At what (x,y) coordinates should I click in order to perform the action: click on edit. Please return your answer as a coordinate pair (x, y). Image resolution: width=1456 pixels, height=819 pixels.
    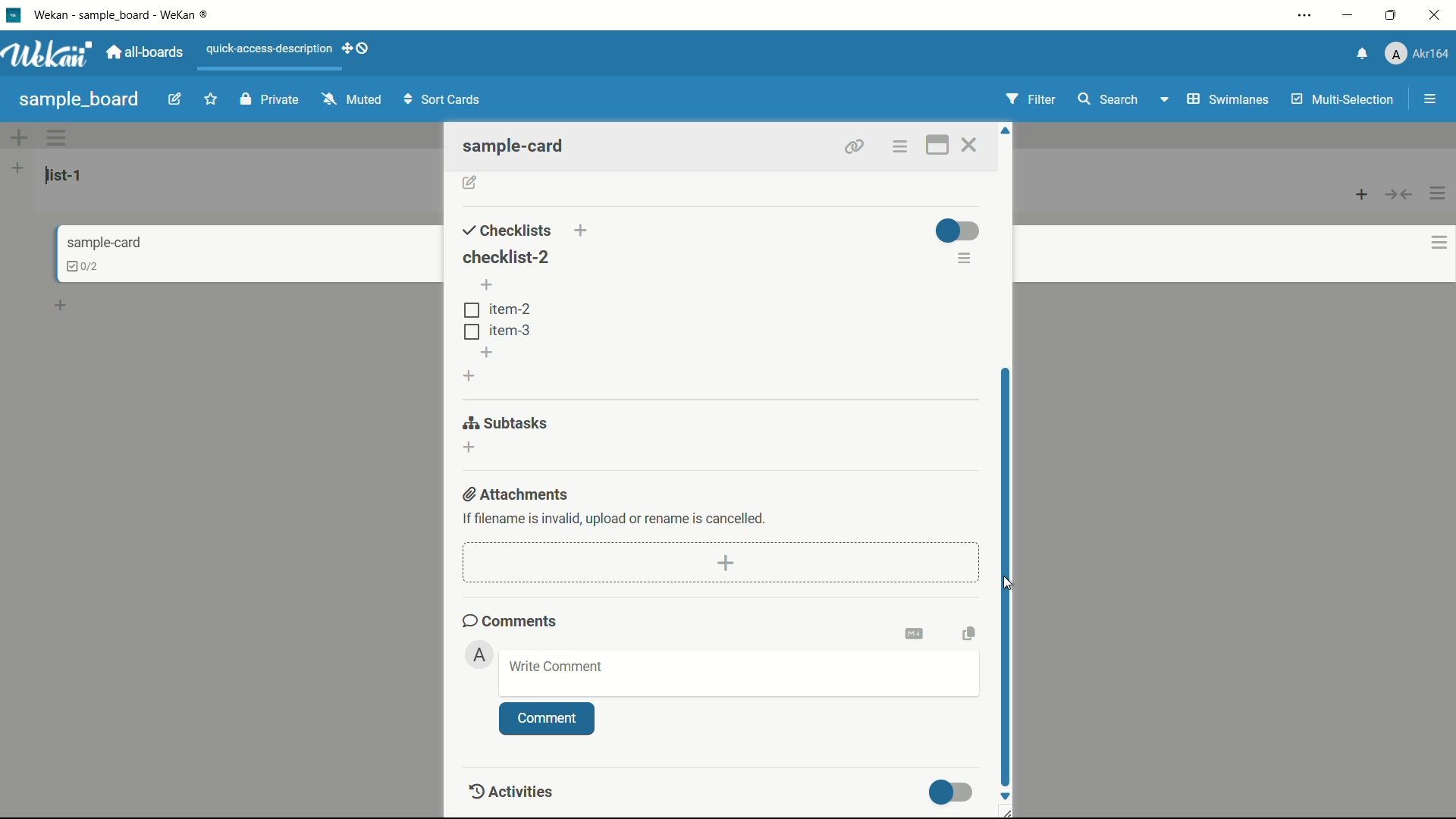
    Looking at the image, I should click on (177, 101).